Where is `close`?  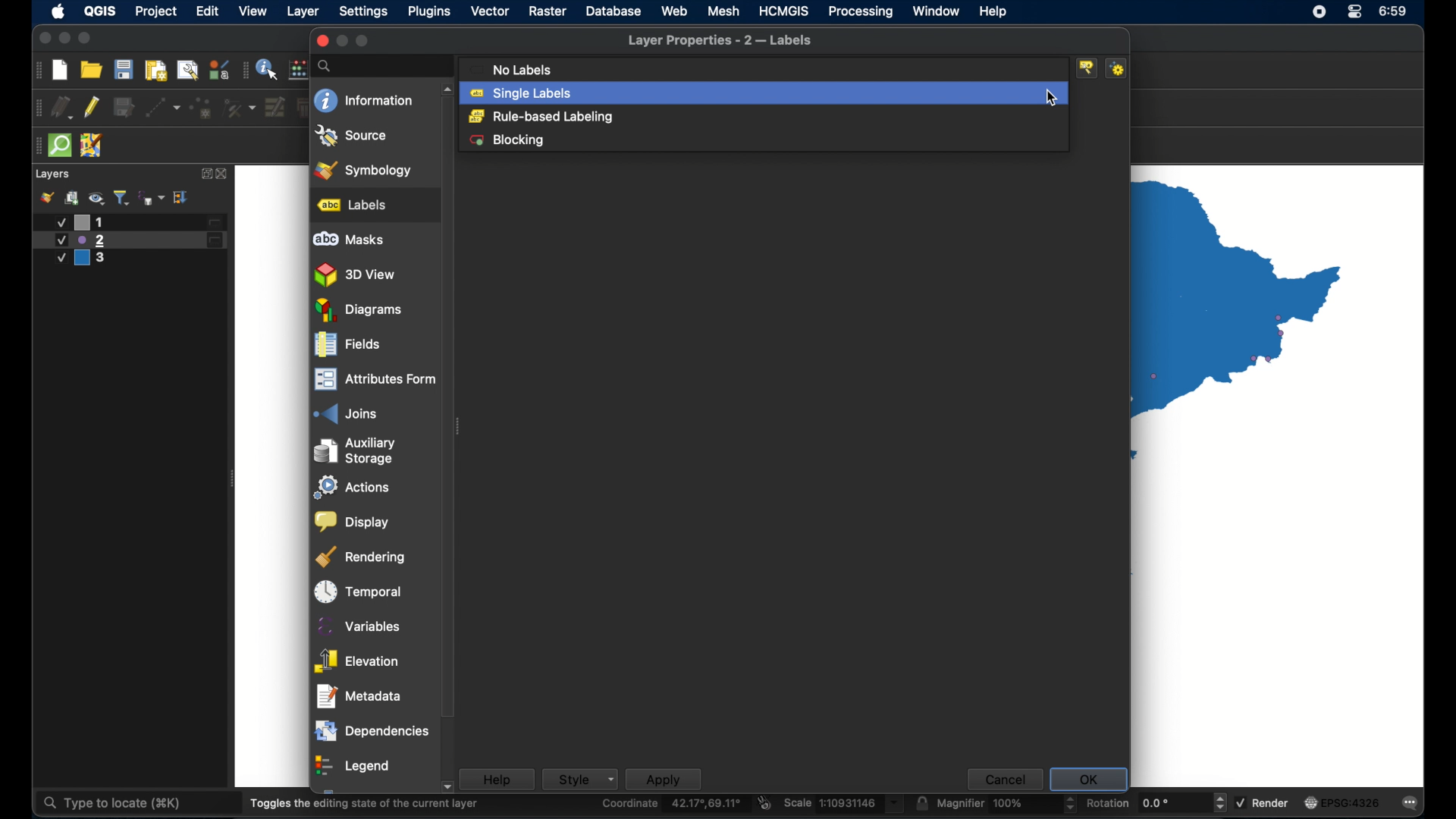
close is located at coordinates (42, 39).